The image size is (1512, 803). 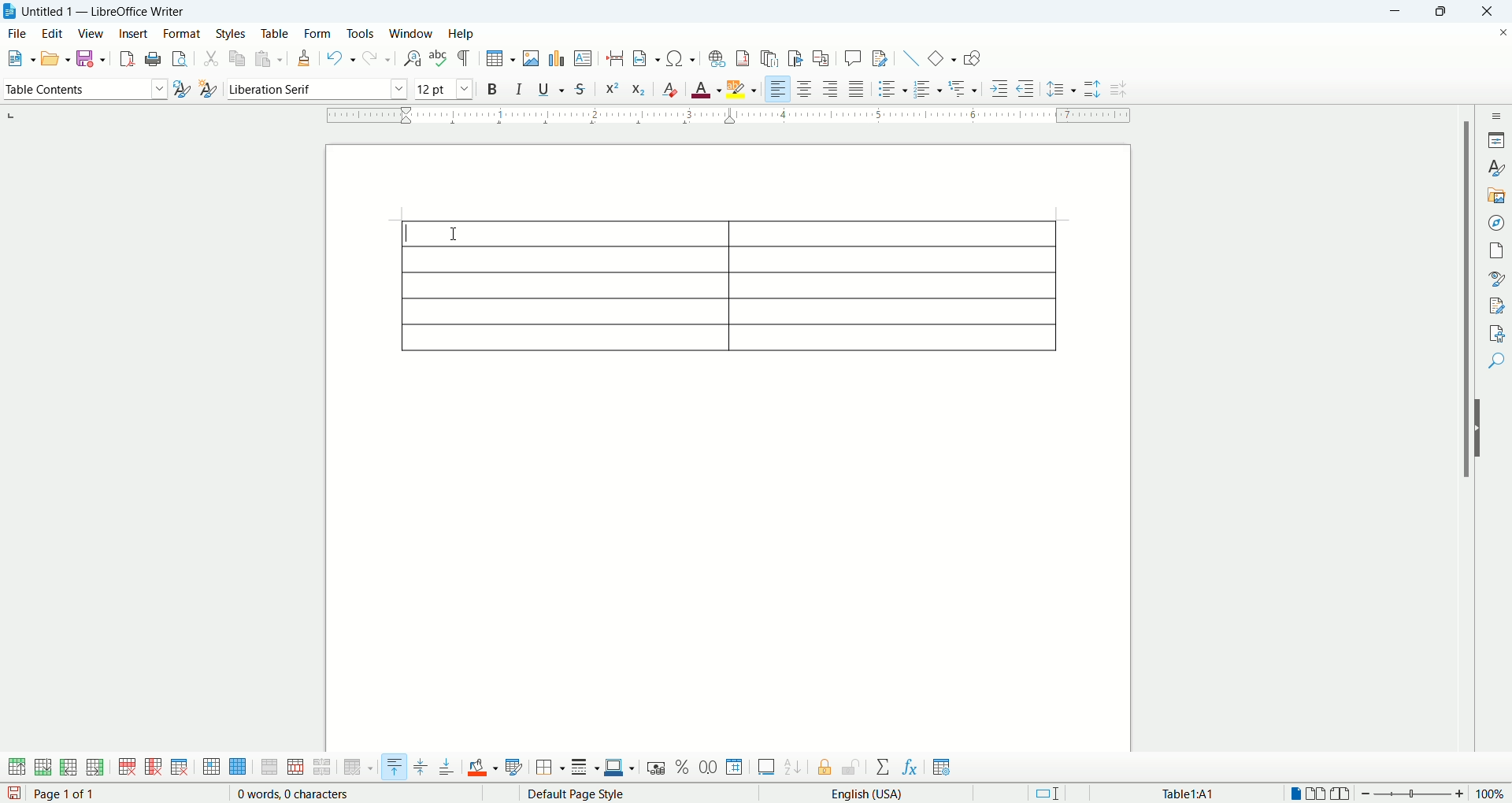 What do you see at coordinates (766, 767) in the screenshot?
I see `insert caption` at bounding box center [766, 767].